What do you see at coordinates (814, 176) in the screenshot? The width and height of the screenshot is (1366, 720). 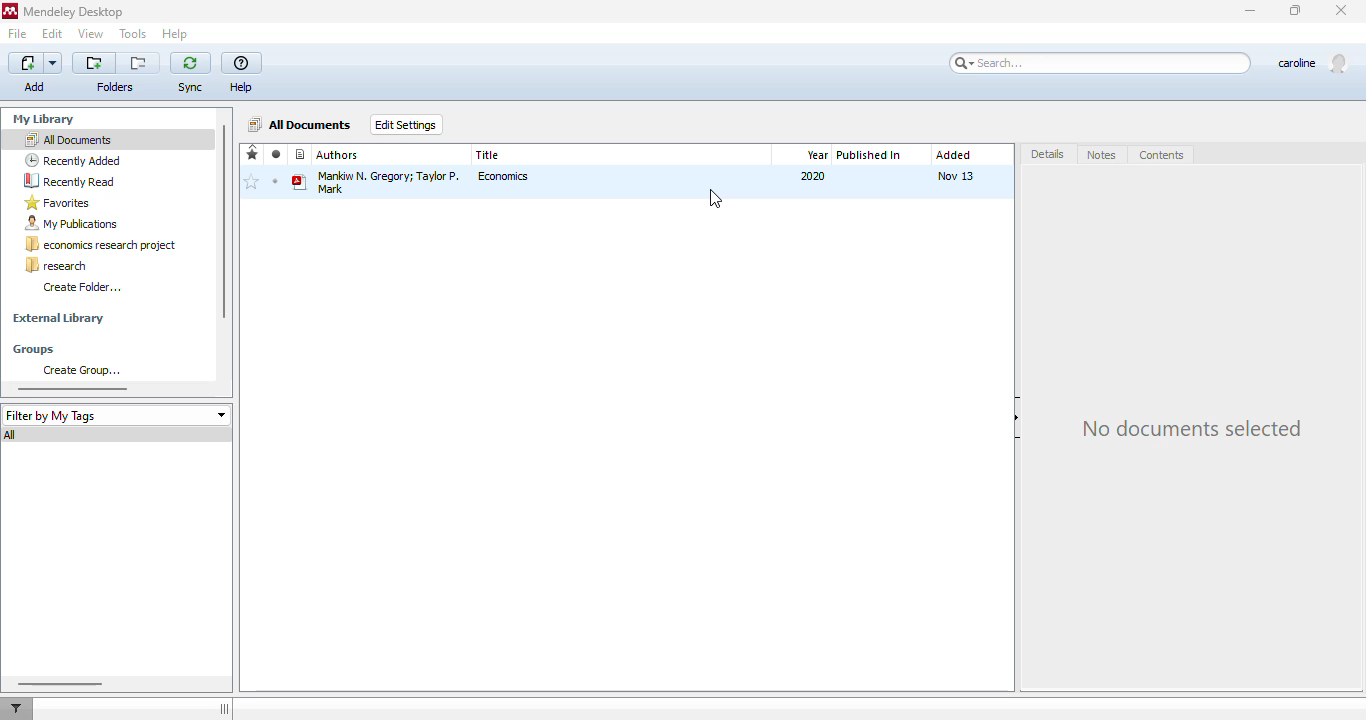 I see `2020` at bounding box center [814, 176].